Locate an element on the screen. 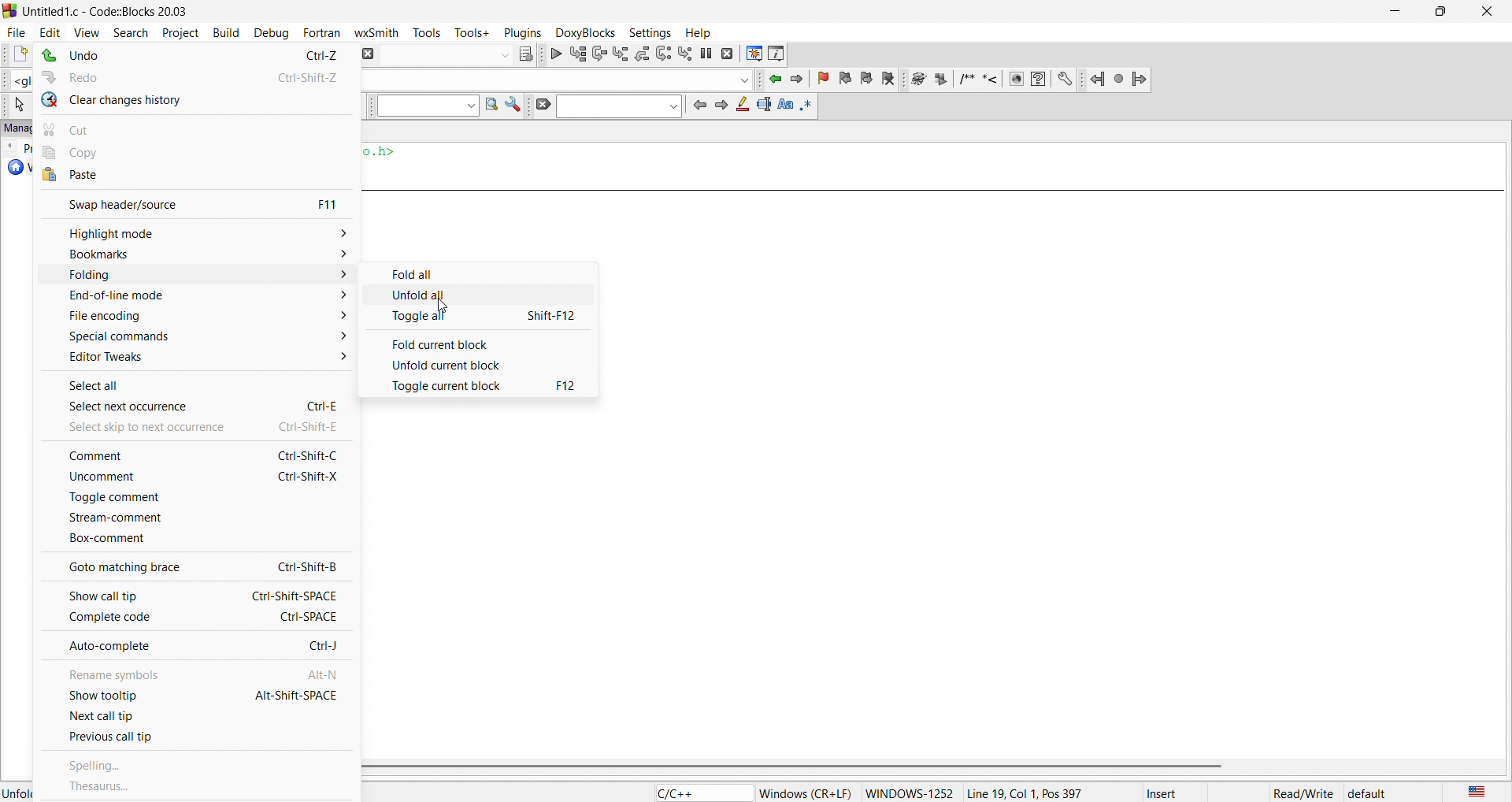  next bookmark is located at coordinates (868, 77).